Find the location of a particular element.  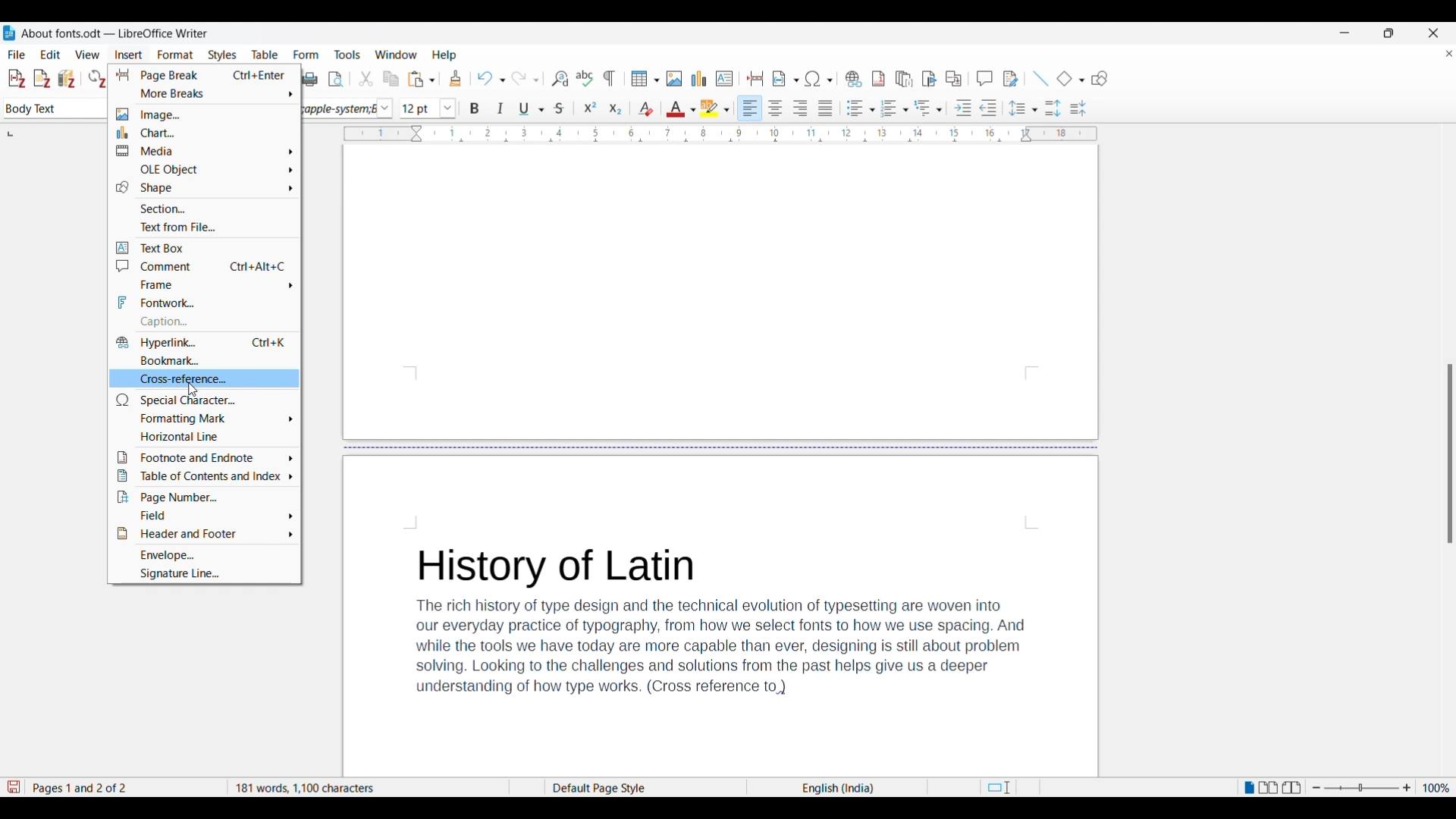

Insert bookmark is located at coordinates (930, 80).